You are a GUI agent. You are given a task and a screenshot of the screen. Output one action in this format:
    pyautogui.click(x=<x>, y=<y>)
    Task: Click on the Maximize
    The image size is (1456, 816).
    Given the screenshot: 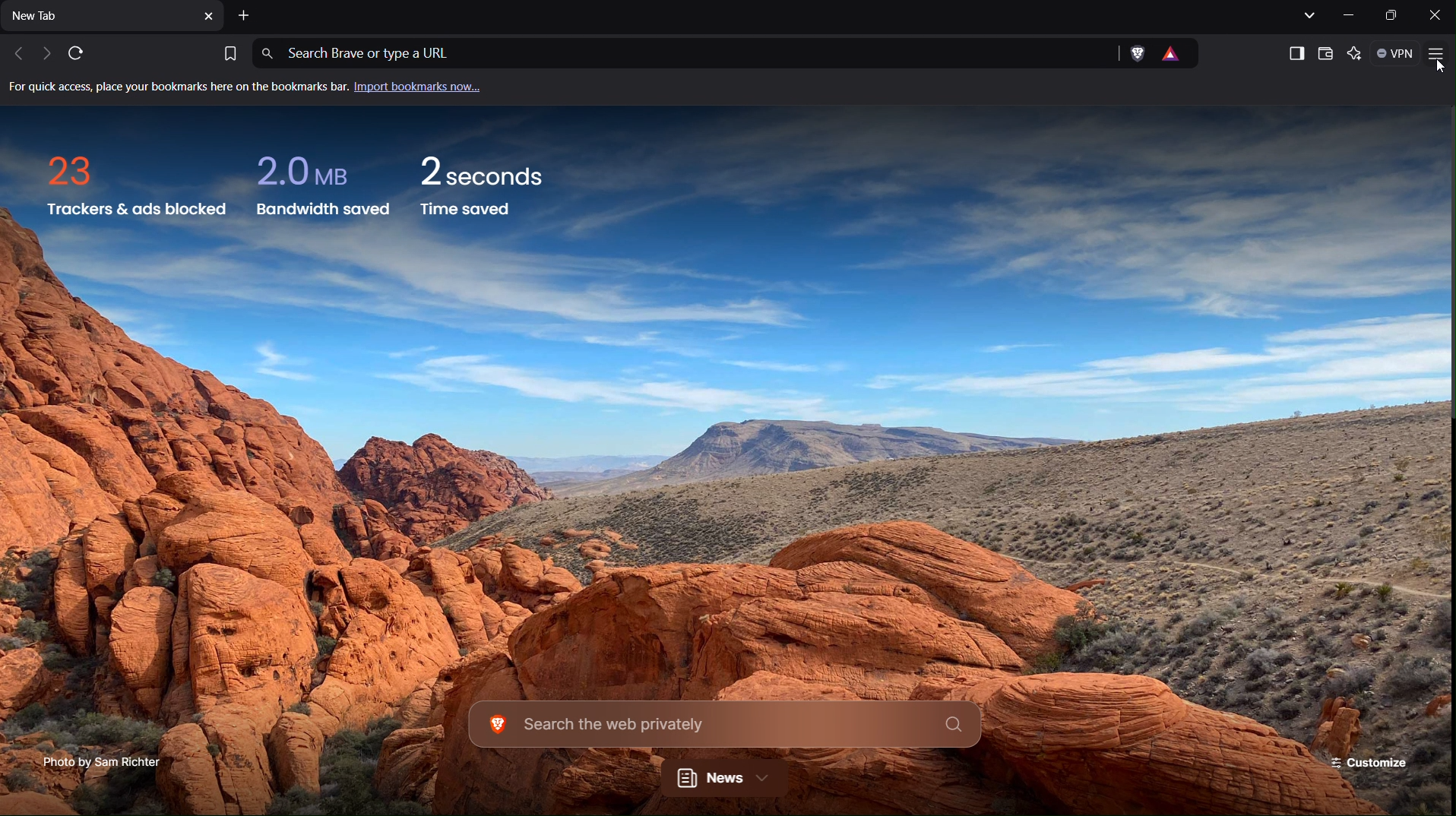 What is the action you would take?
    pyautogui.click(x=1392, y=15)
    